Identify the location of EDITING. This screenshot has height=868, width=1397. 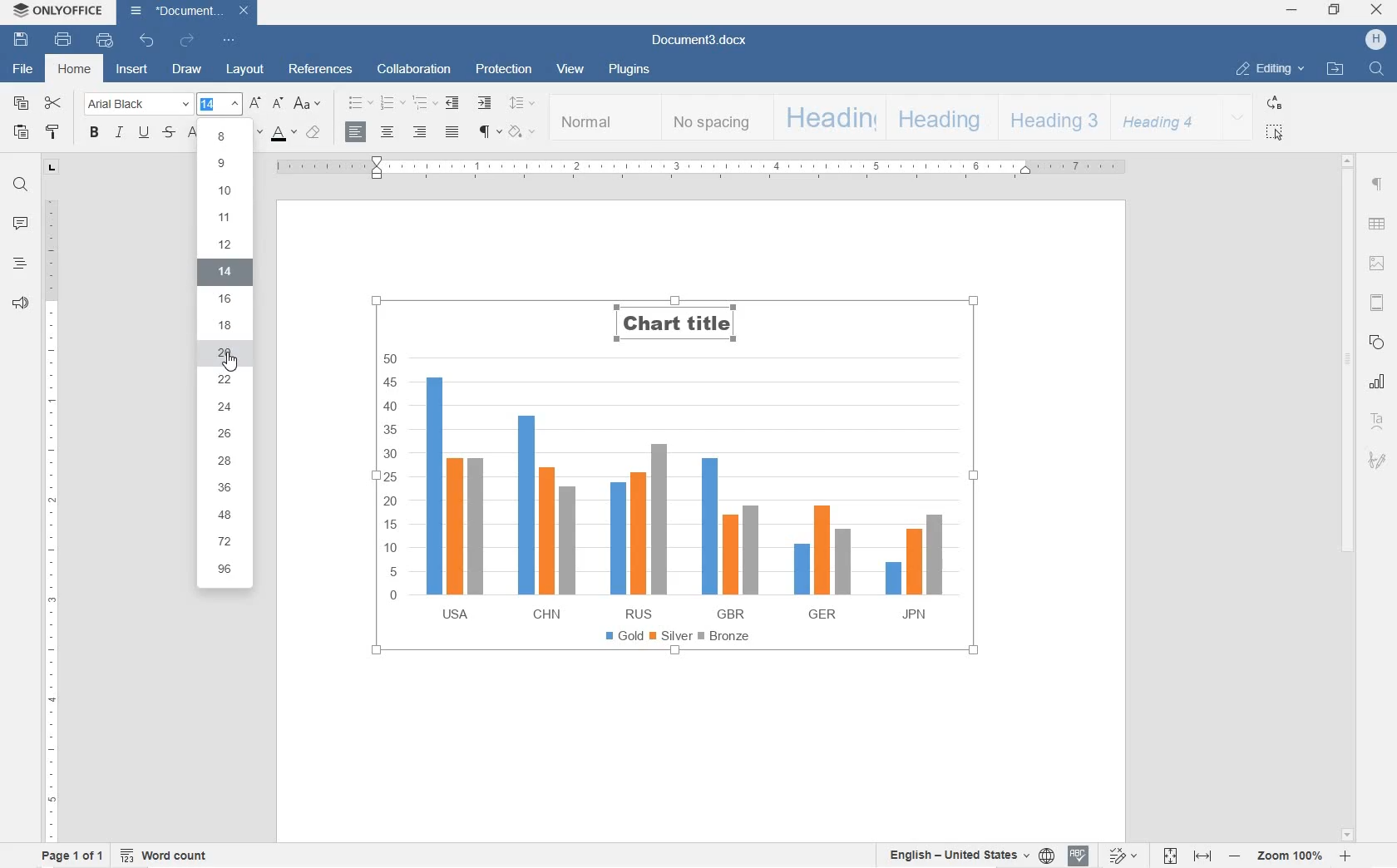
(1268, 70).